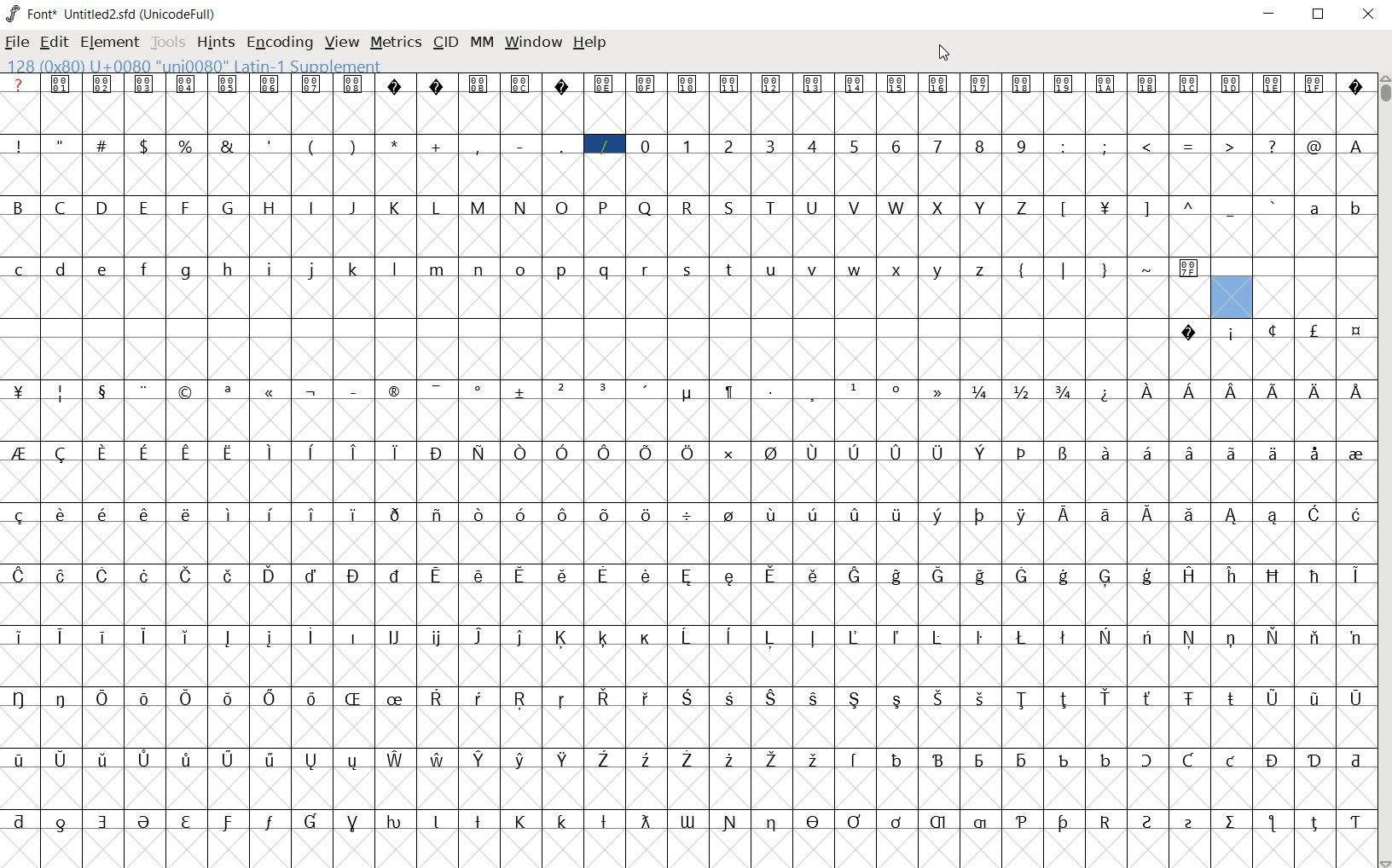 The image size is (1392, 868). Describe the element at coordinates (980, 576) in the screenshot. I see `glyph` at that location.